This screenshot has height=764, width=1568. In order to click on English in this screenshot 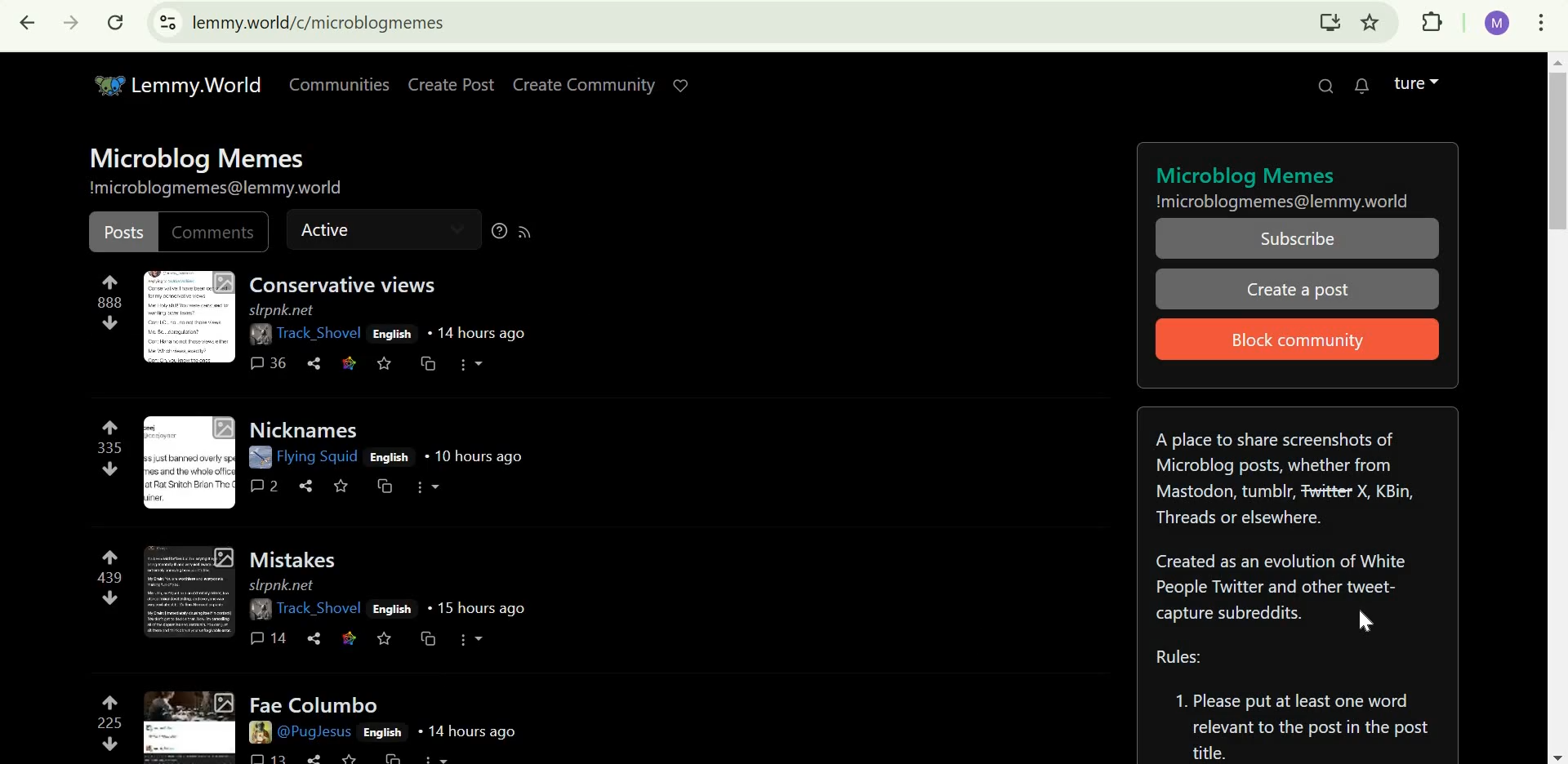, I will do `click(390, 455)`.